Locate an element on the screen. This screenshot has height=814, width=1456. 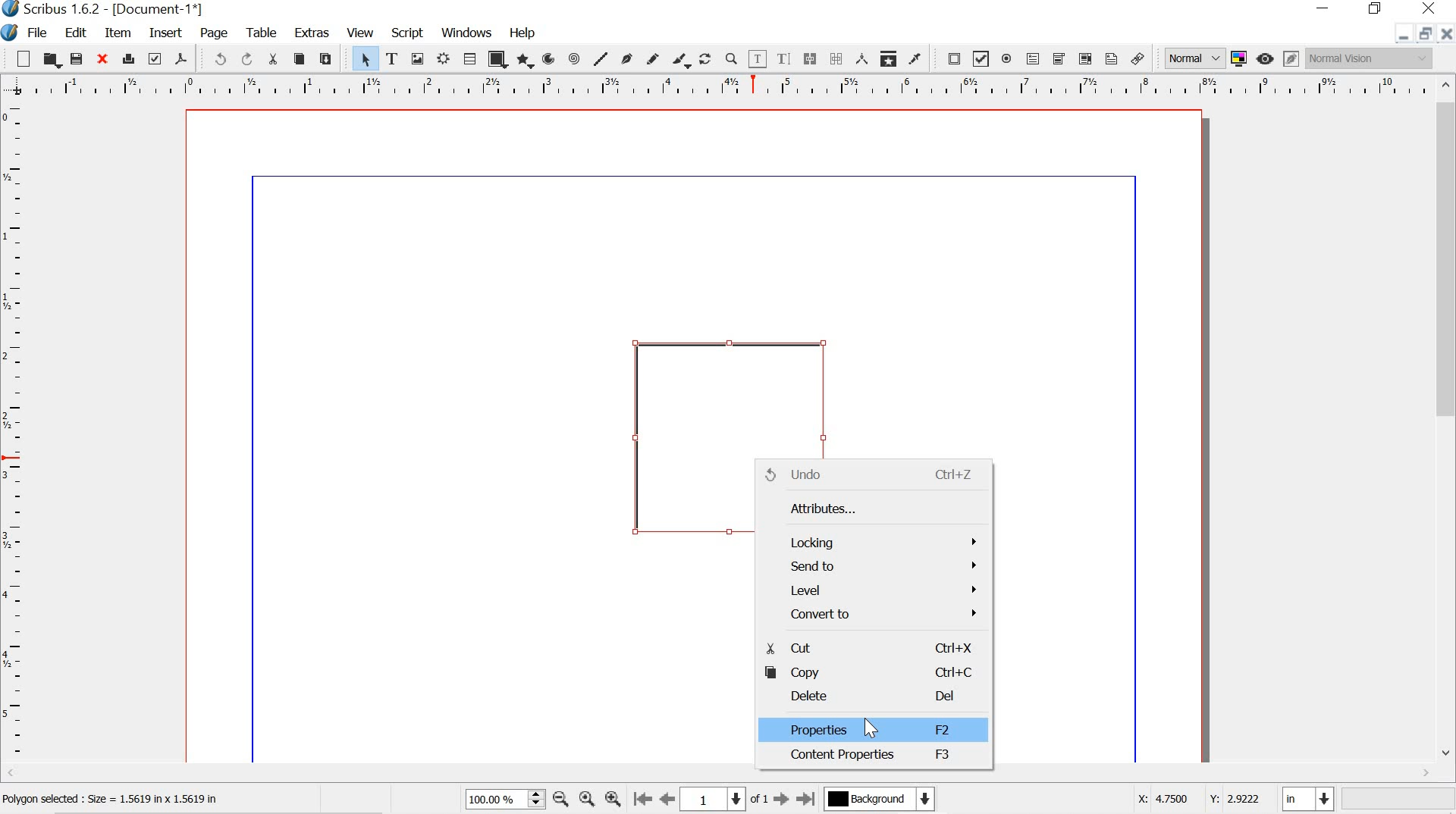
unlink text frames is located at coordinates (836, 57).